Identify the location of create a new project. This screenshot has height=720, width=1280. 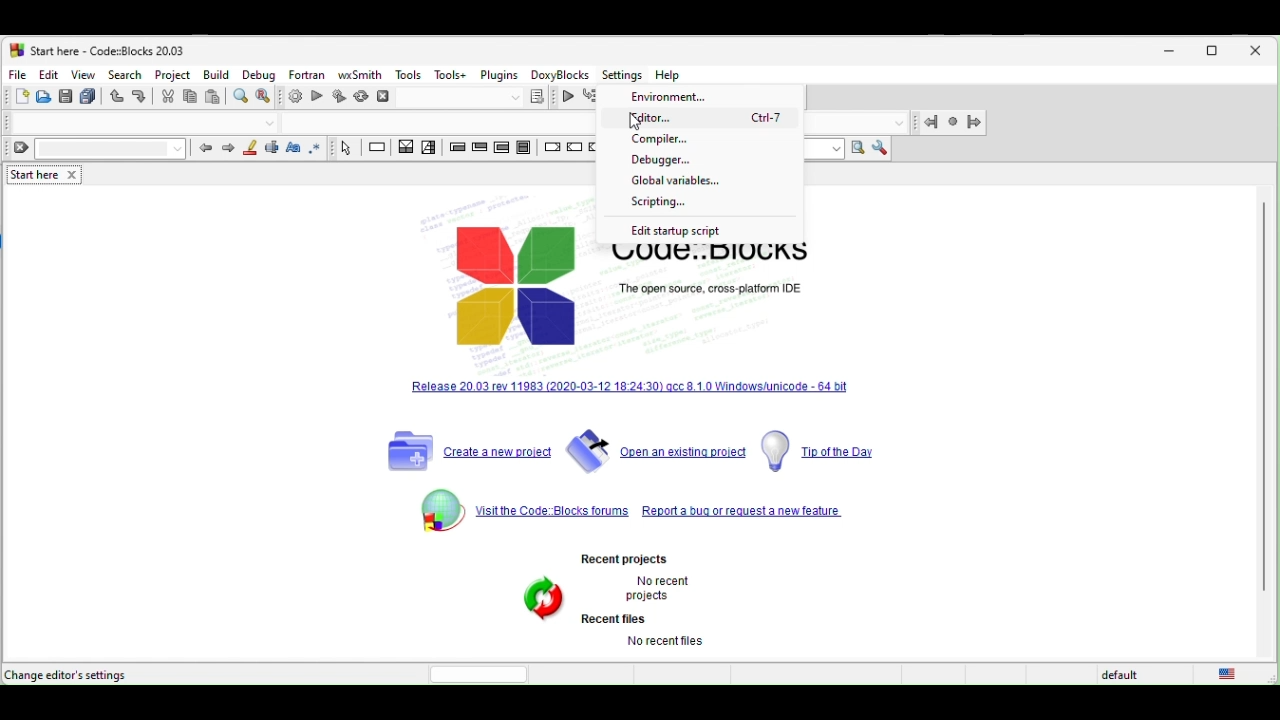
(471, 452).